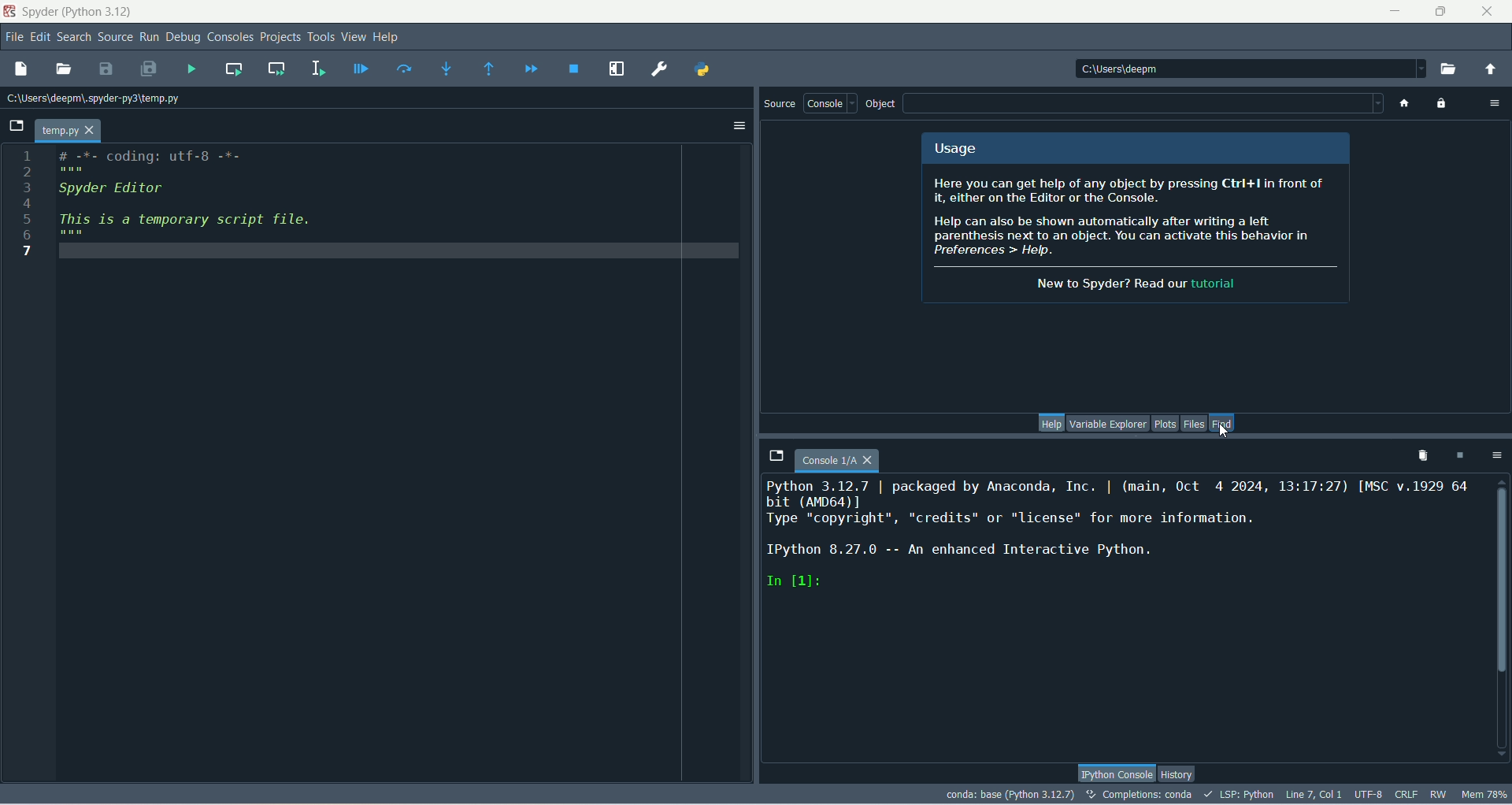 This screenshot has width=1512, height=805. Describe the element at coordinates (39, 37) in the screenshot. I see `edit` at that location.